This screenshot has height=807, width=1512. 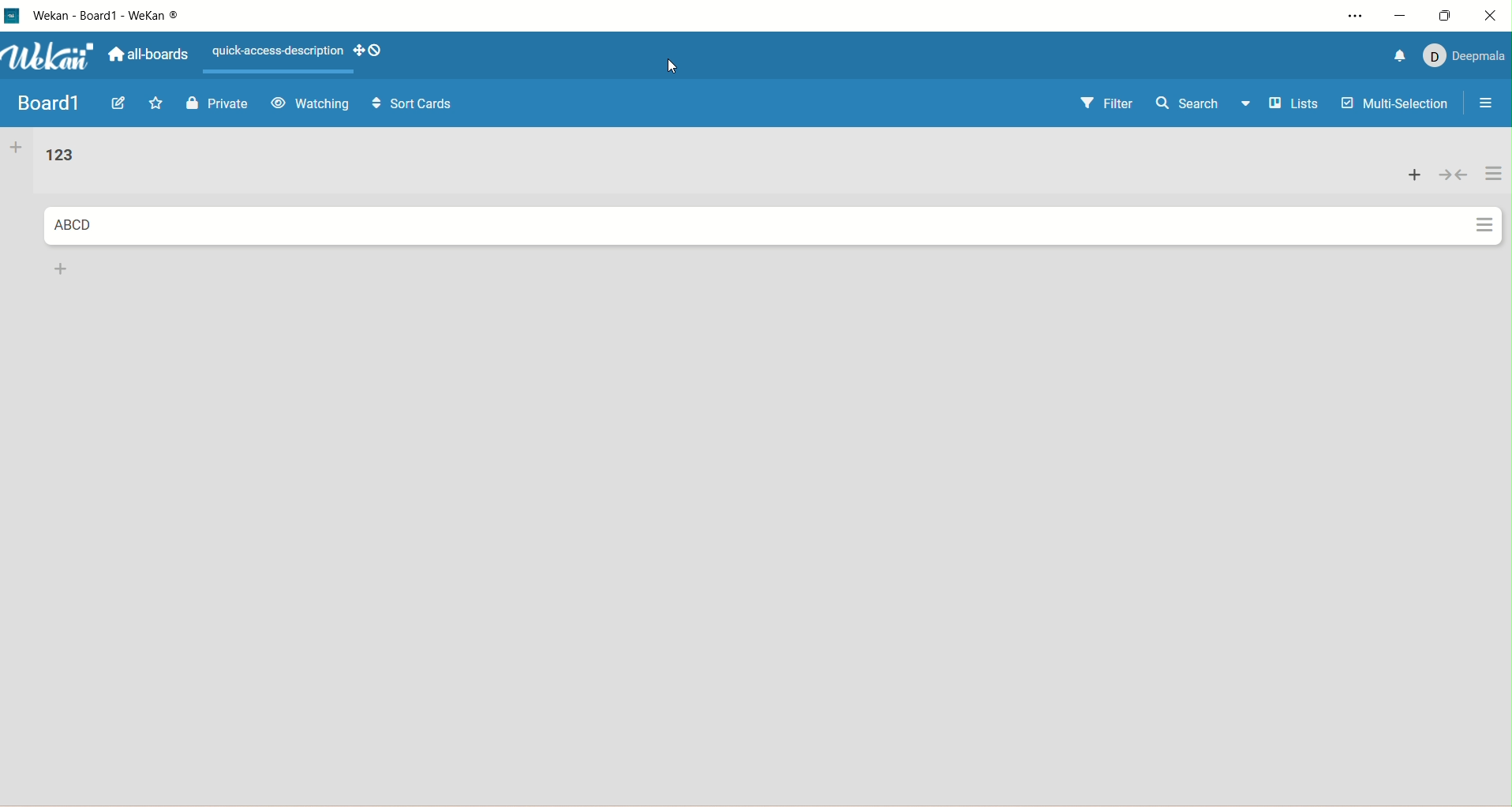 What do you see at coordinates (1482, 105) in the screenshot?
I see `options` at bounding box center [1482, 105].